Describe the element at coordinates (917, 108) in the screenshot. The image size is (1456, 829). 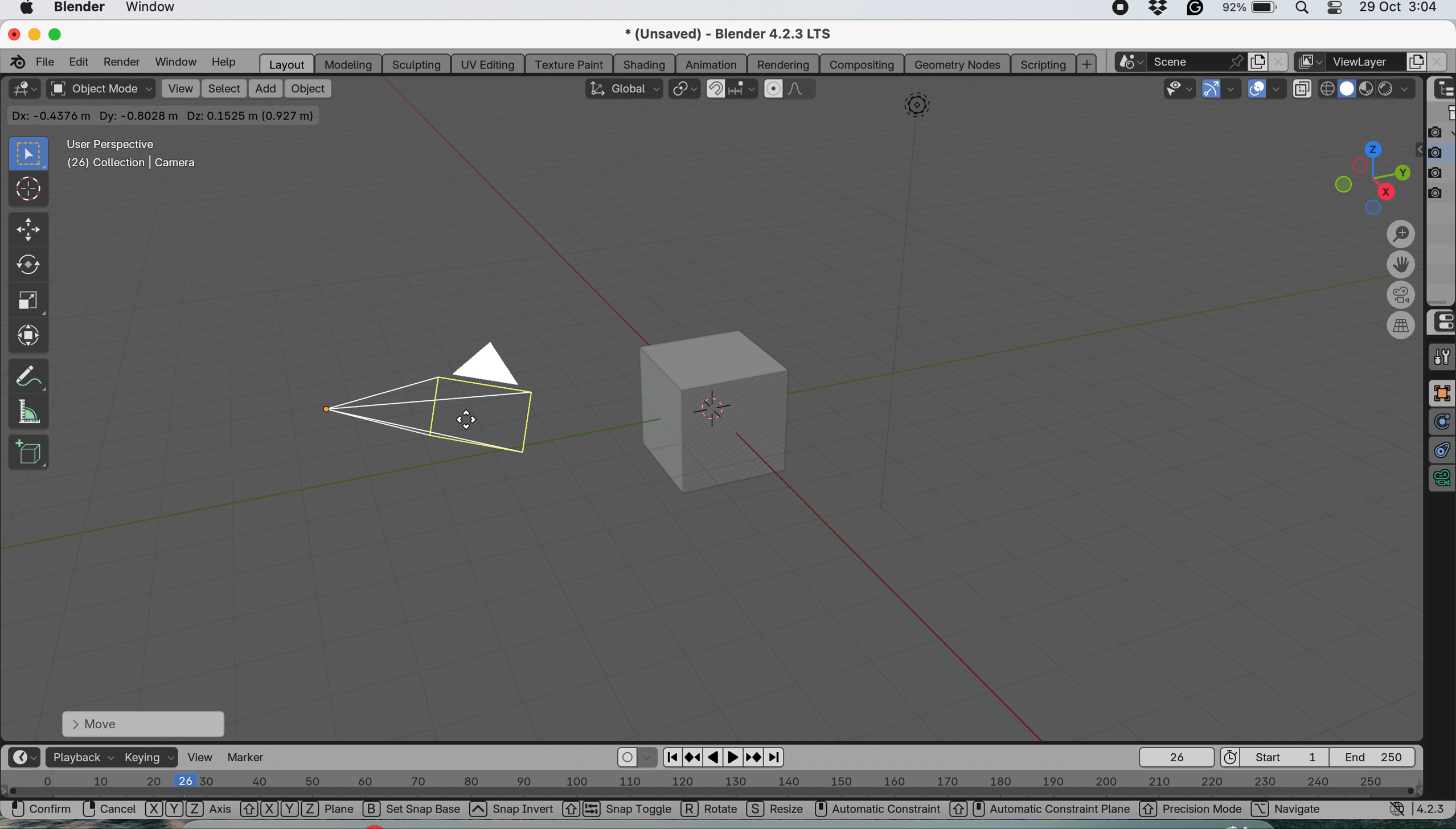
I see `image shape` at that location.